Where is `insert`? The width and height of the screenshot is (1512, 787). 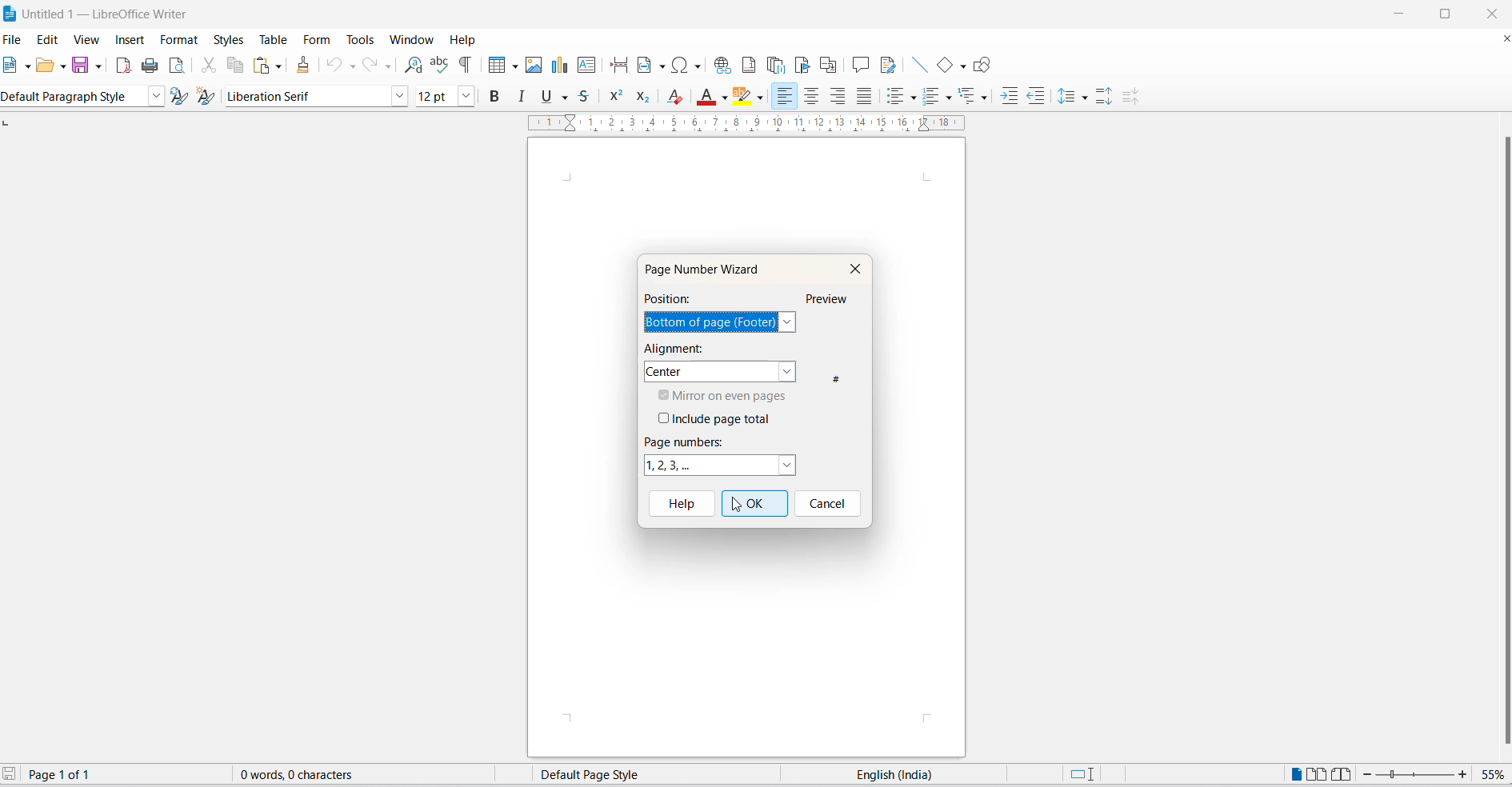 insert is located at coordinates (128, 37).